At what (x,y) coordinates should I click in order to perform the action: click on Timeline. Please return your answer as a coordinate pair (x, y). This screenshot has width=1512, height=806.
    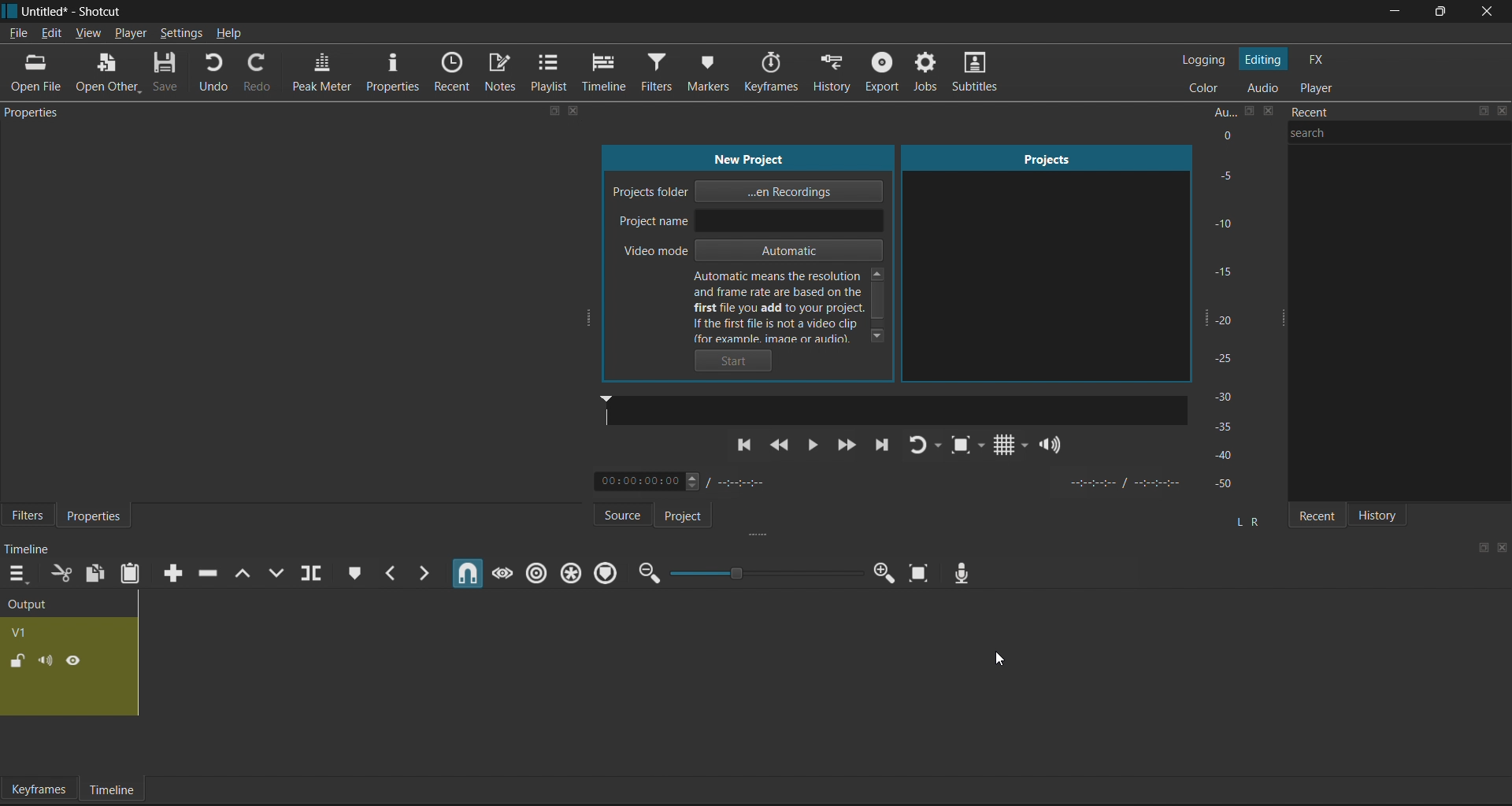
    Looking at the image, I should click on (112, 789).